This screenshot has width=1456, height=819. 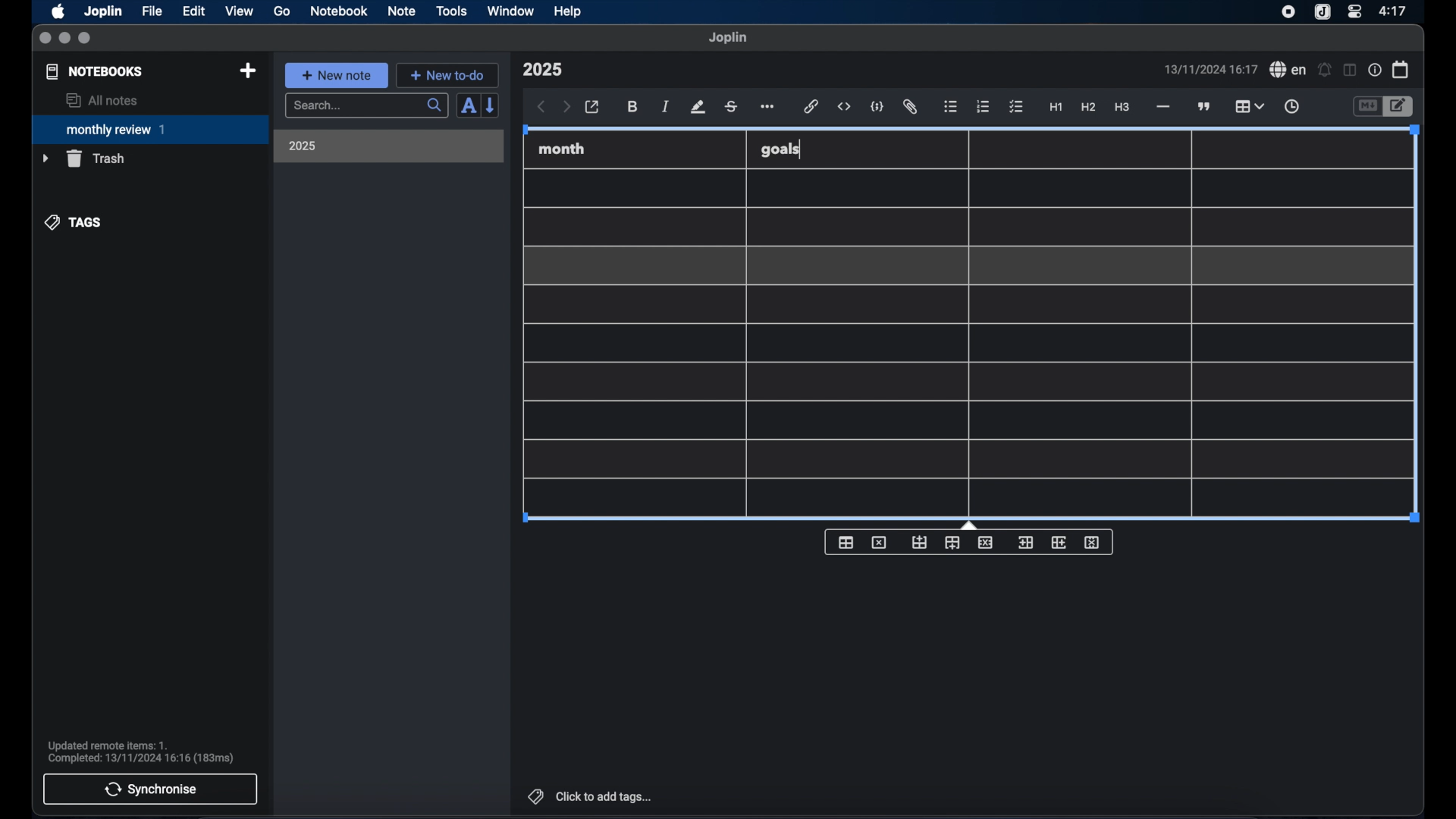 I want to click on note, so click(x=402, y=11).